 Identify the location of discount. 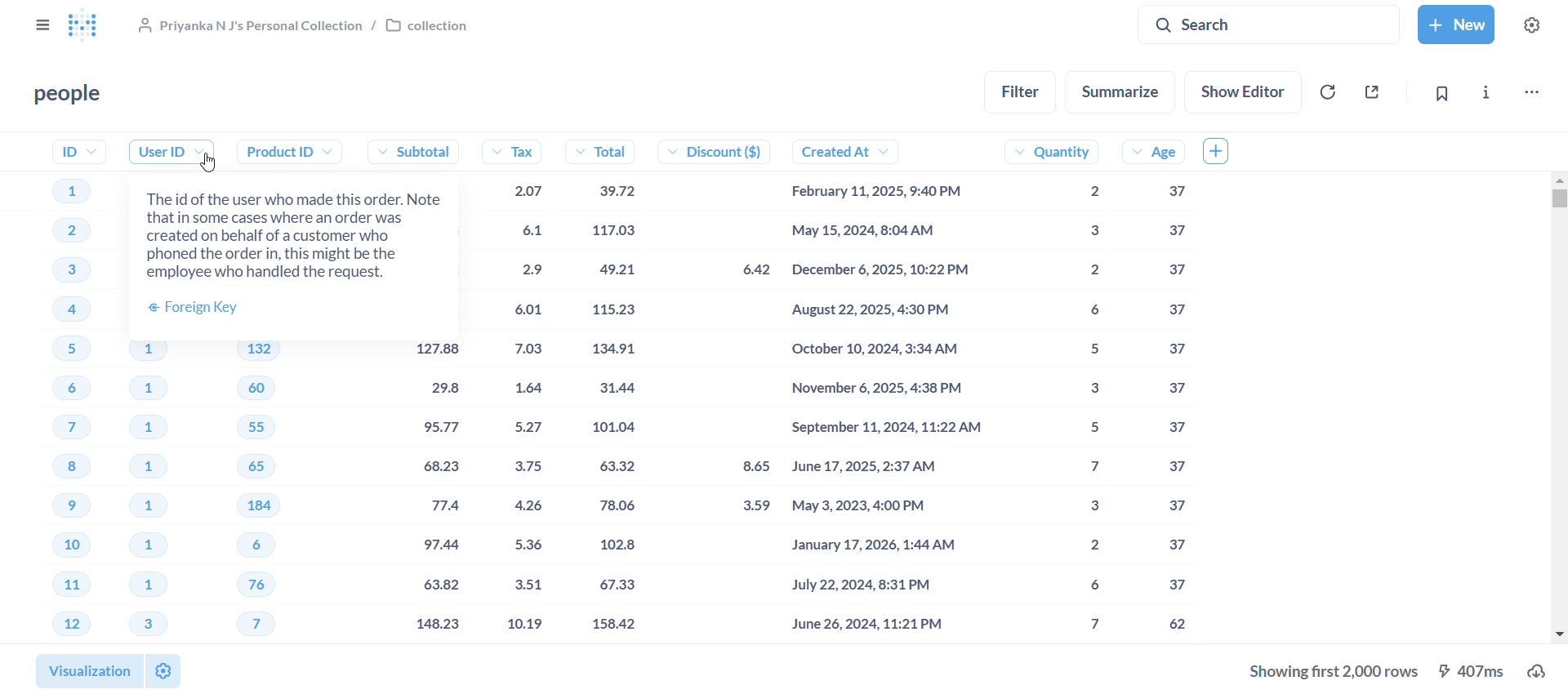
(725, 388).